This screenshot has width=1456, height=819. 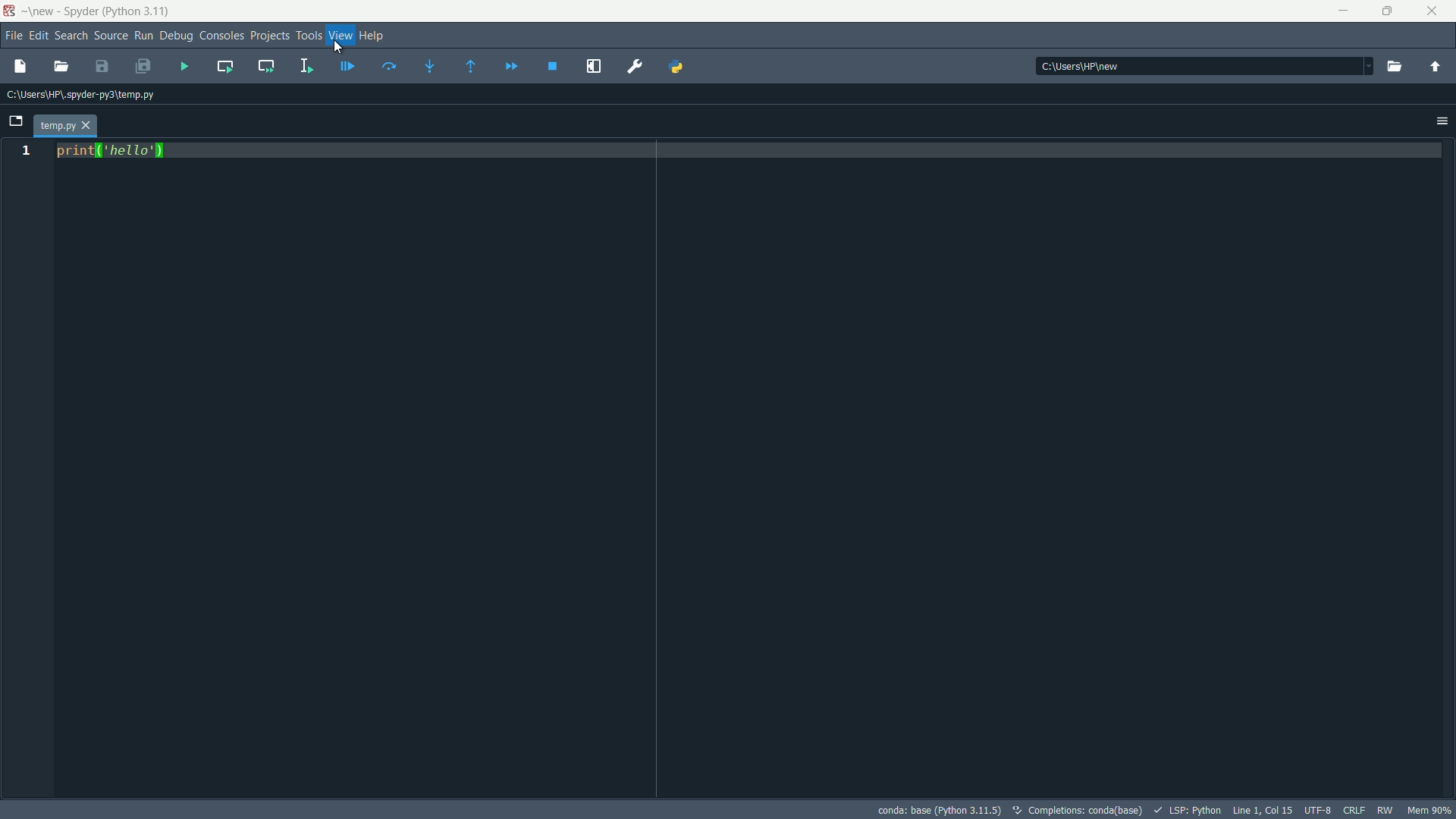 I want to click on mem 90%, so click(x=1432, y=811).